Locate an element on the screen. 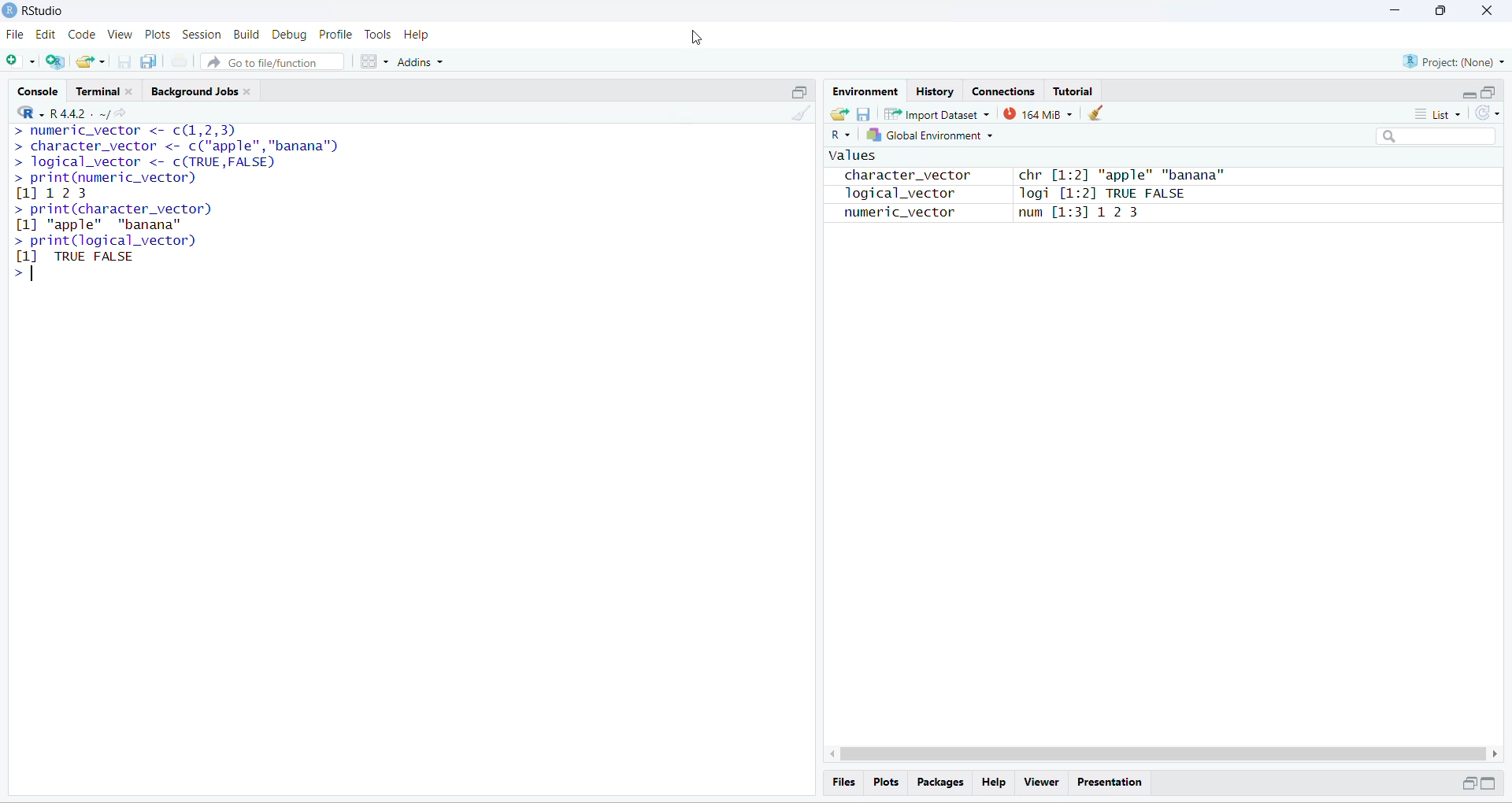 This screenshot has height=803, width=1512. share current directory is located at coordinates (113, 116).